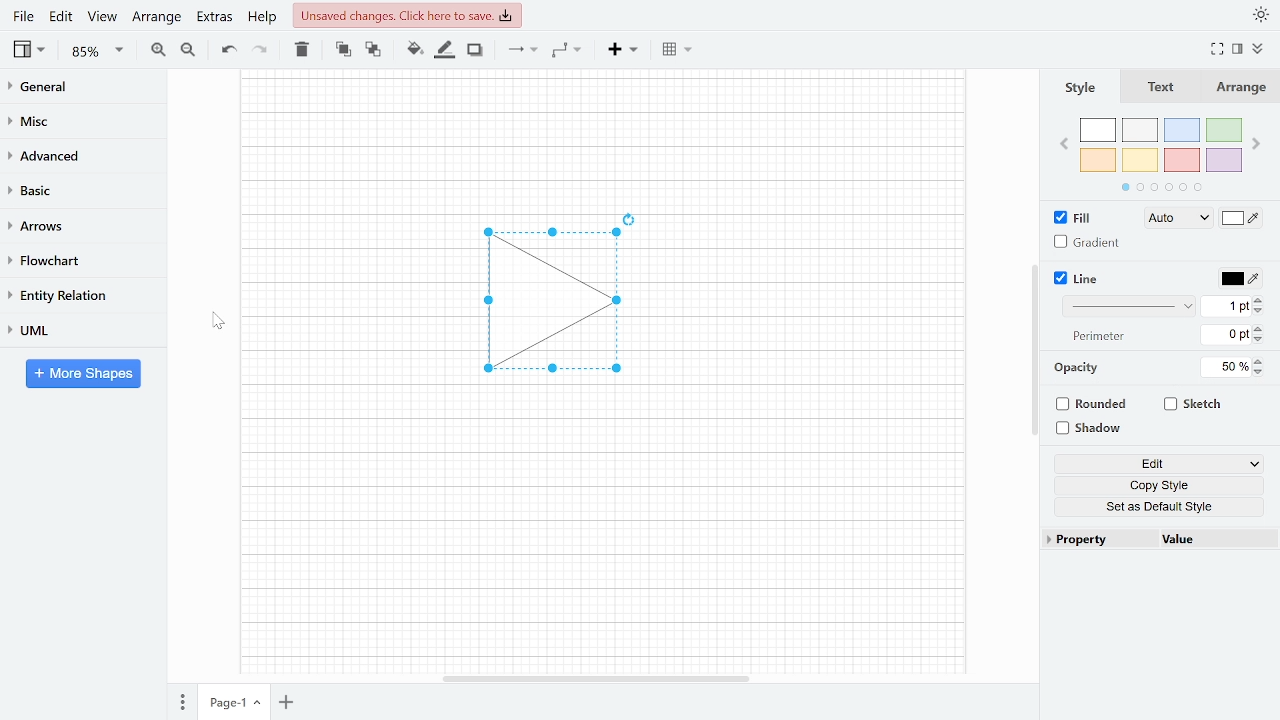 This screenshot has height=720, width=1280. What do you see at coordinates (623, 48) in the screenshot?
I see `Insert` at bounding box center [623, 48].